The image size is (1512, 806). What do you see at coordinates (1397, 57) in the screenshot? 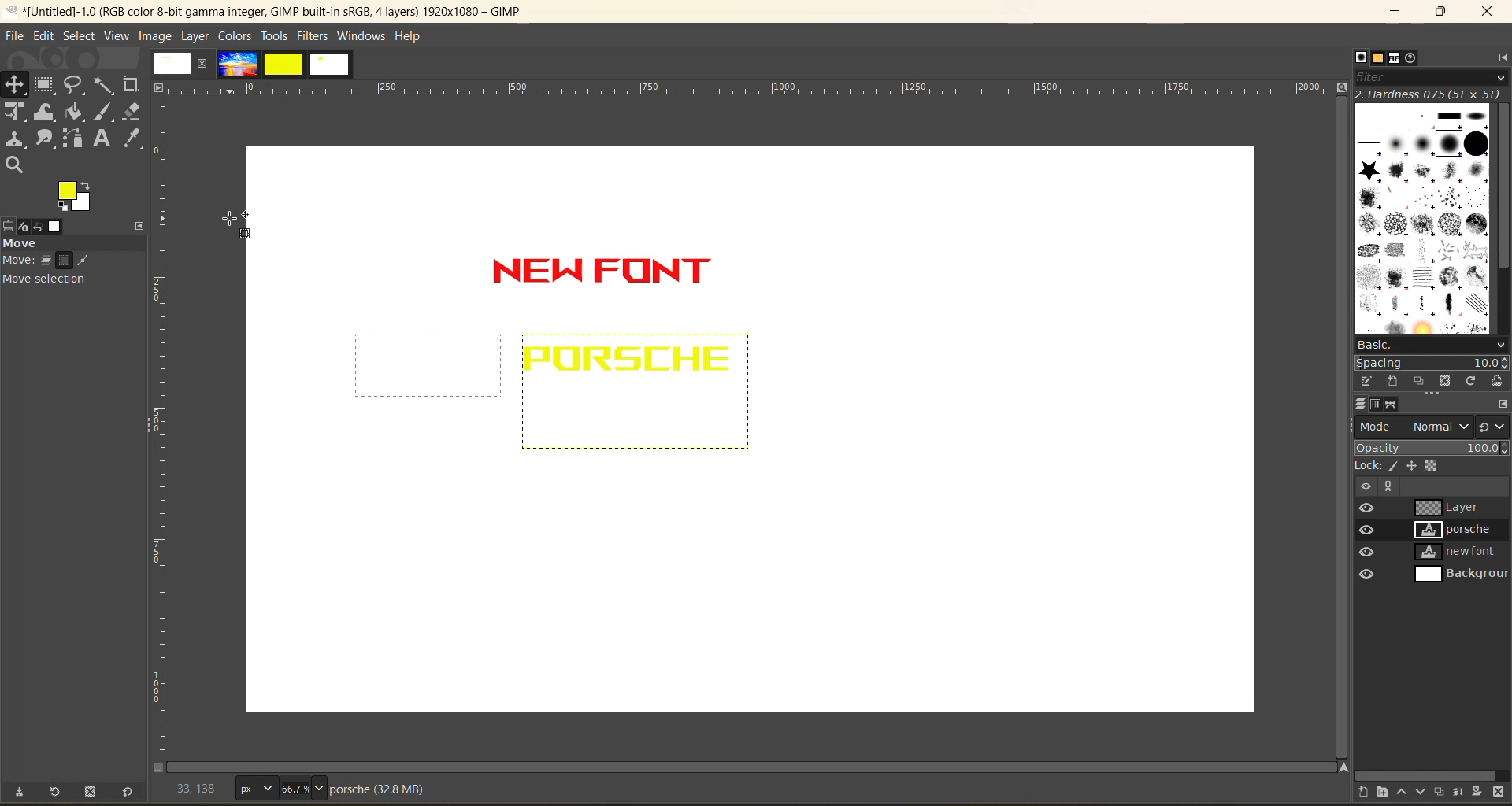
I see `fonts` at bounding box center [1397, 57].